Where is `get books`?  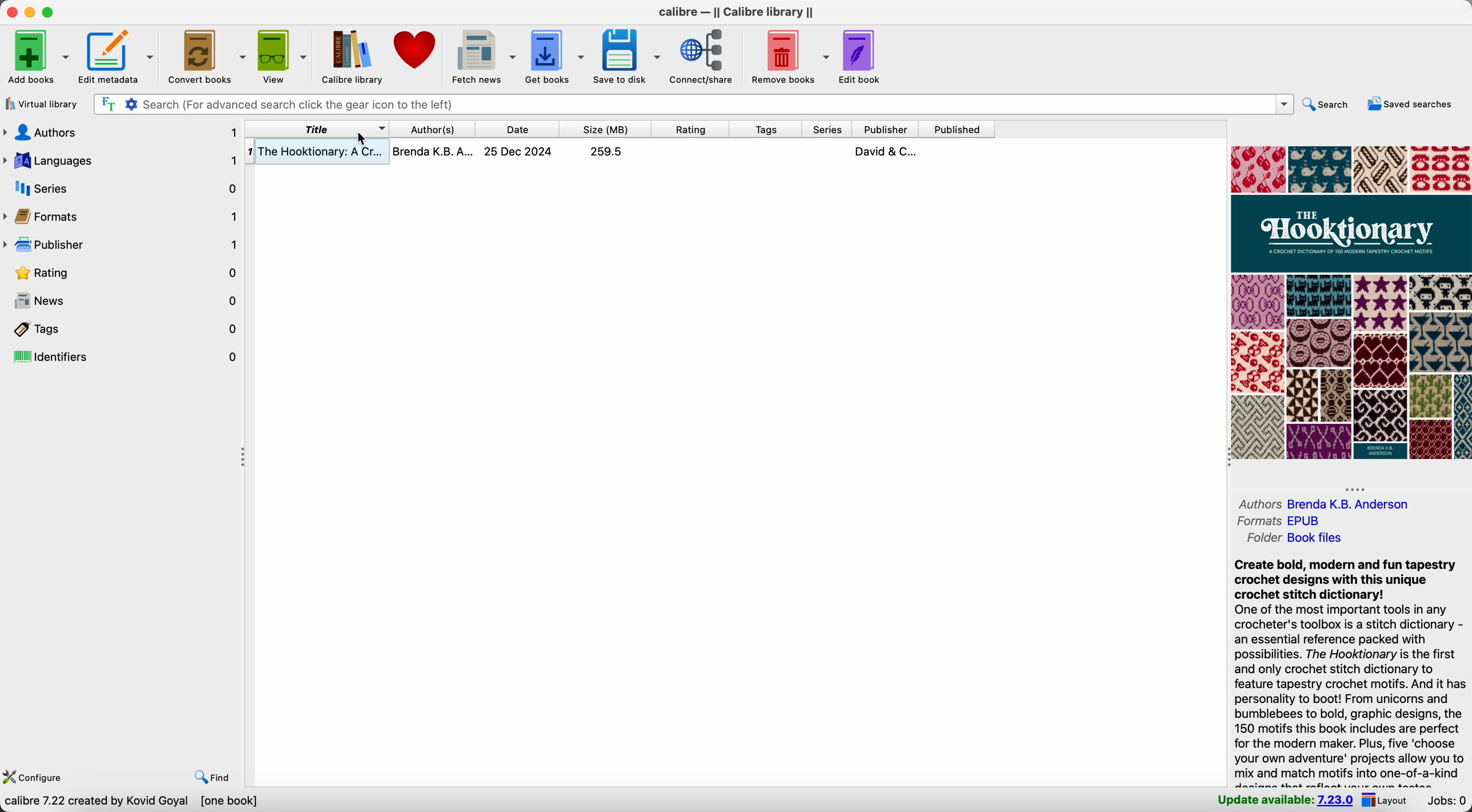
get books is located at coordinates (555, 54).